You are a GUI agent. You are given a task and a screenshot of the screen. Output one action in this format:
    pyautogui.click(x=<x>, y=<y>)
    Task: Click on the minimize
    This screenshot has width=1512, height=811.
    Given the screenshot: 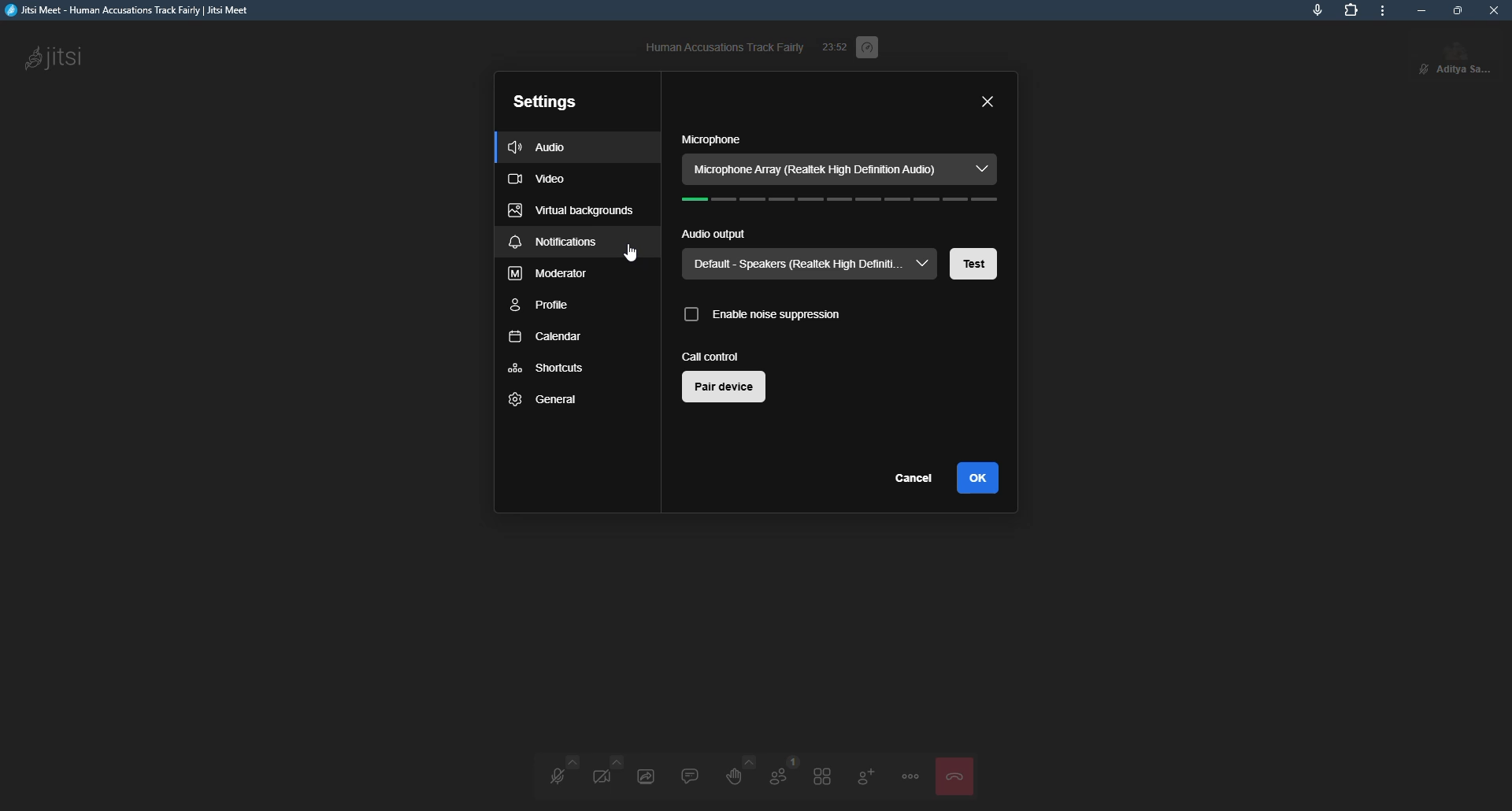 What is the action you would take?
    pyautogui.click(x=1424, y=12)
    